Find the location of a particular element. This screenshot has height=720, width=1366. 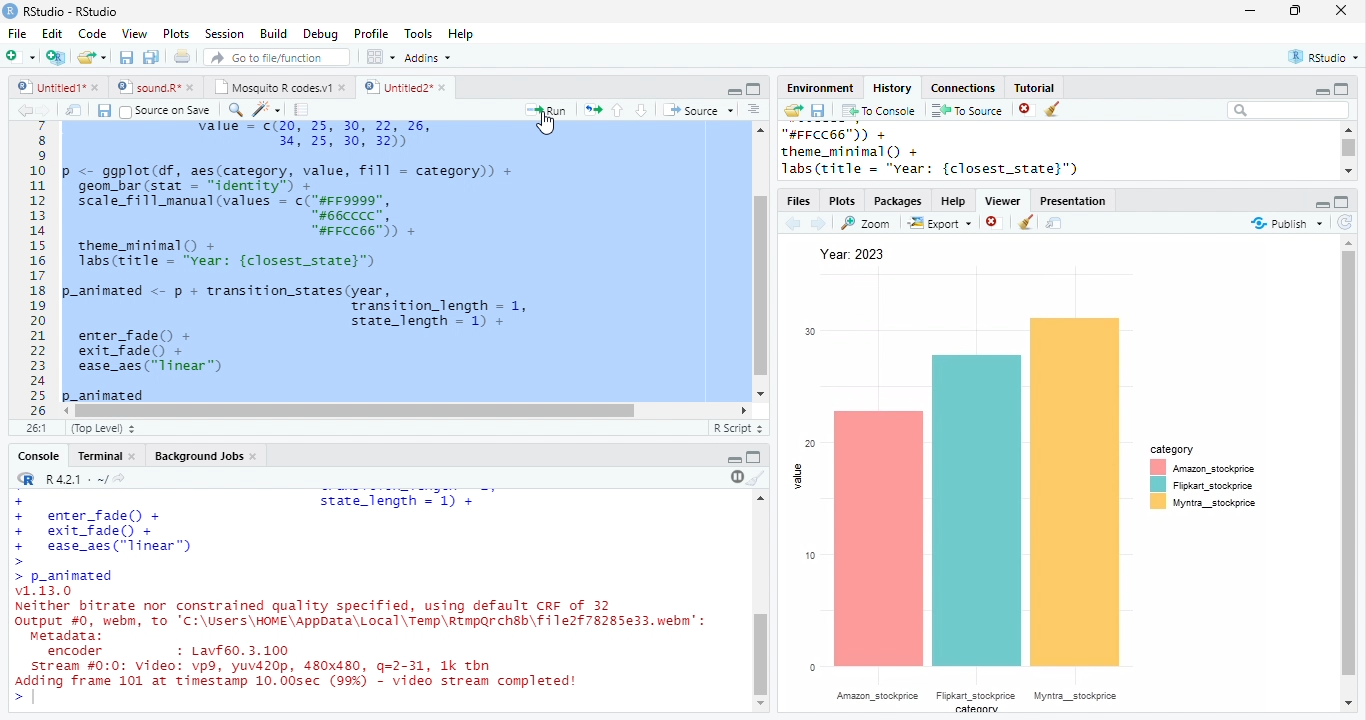

Packages is located at coordinates (899, 201).